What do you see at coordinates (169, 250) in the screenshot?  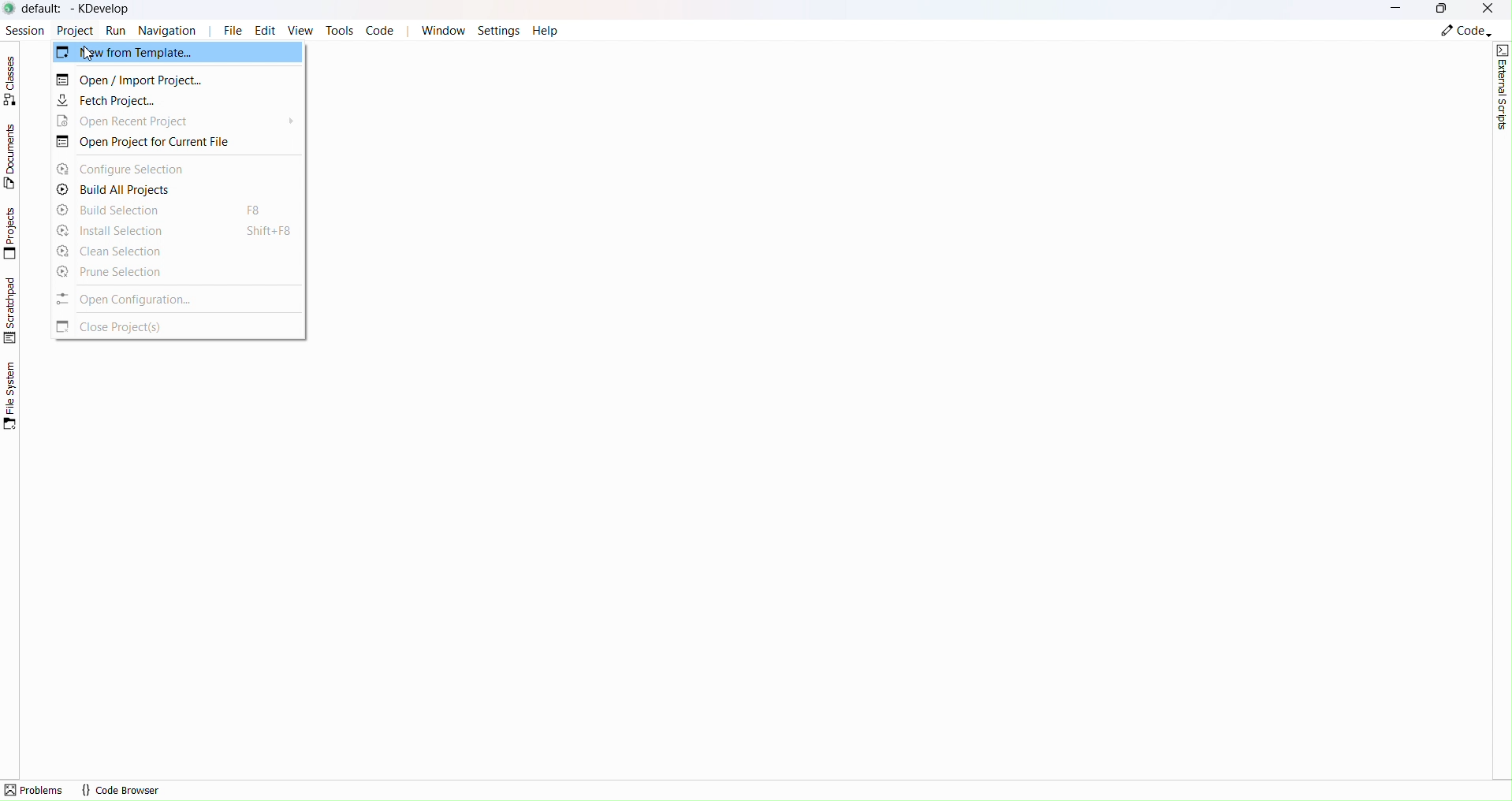 I see `Clear Selection` at bounding box center [169, 250].